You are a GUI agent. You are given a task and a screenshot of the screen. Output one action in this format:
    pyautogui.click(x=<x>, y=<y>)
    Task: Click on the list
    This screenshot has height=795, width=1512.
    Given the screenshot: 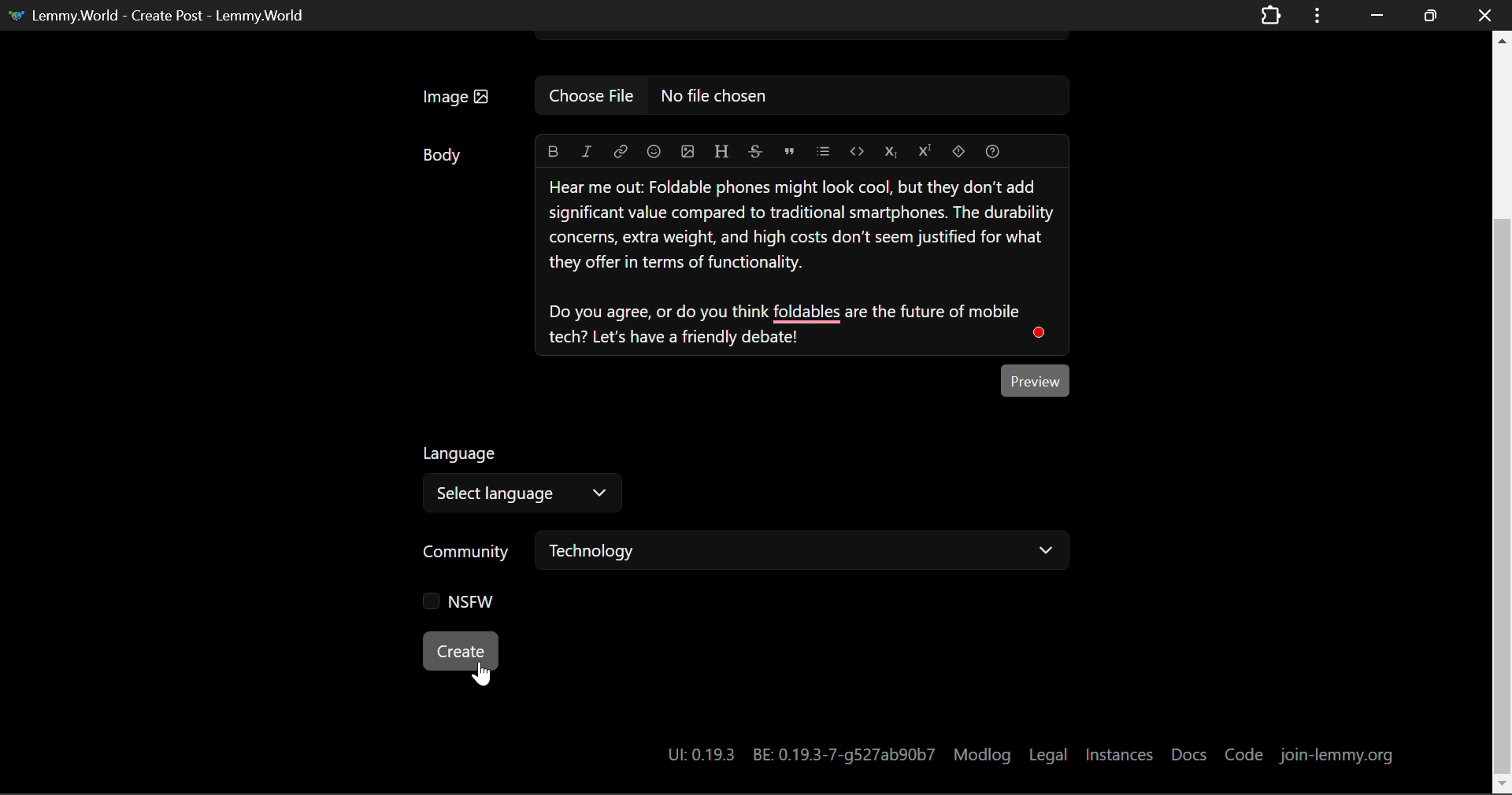 What is the action you would take?
    pyautogui.click(x=824, y=150)
    